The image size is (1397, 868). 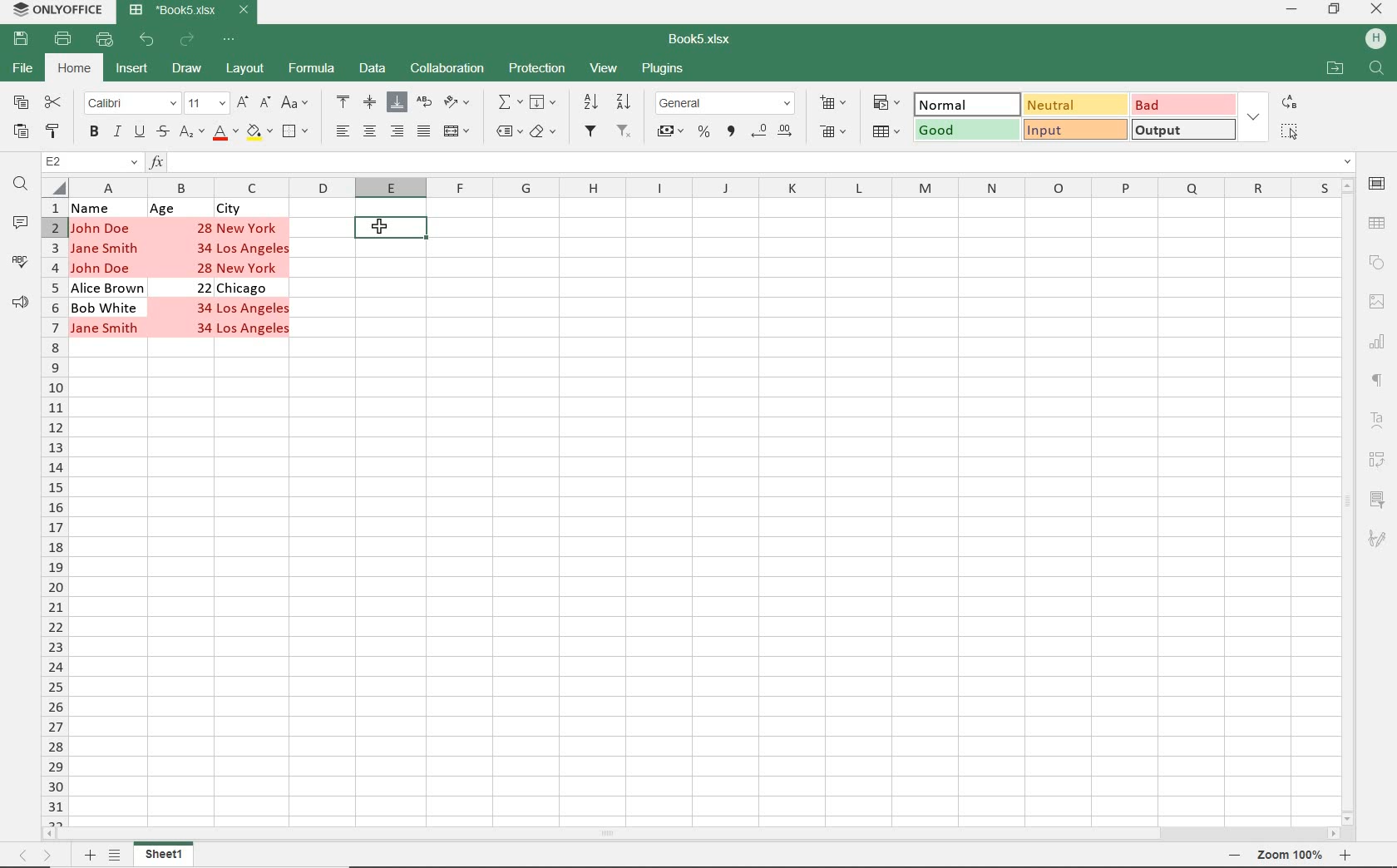 I want to click on TABLE, so click(x=1376, y=220).